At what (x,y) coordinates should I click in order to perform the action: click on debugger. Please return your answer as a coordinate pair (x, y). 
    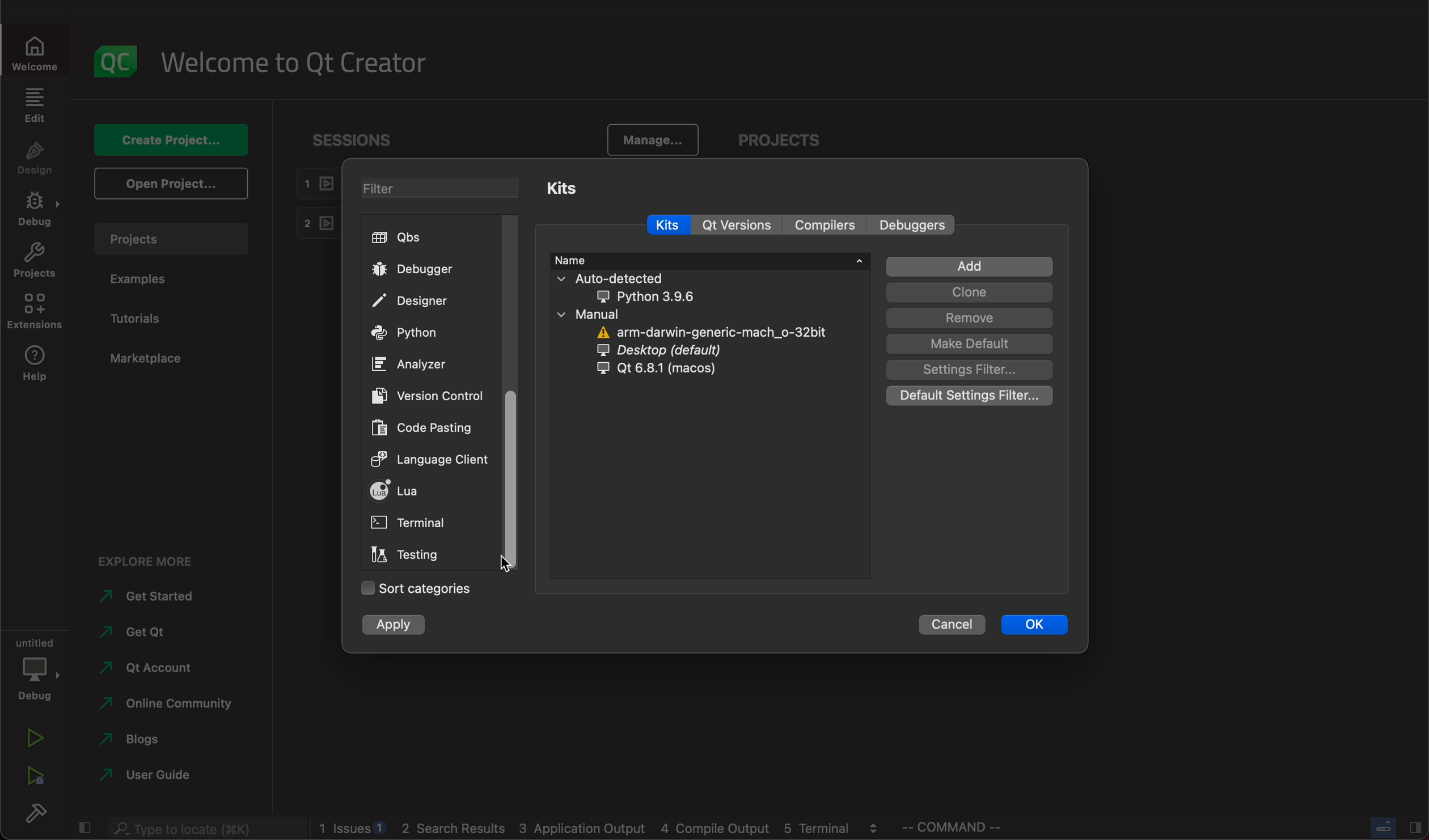
    Looking at the image, I should click on (414, 272).